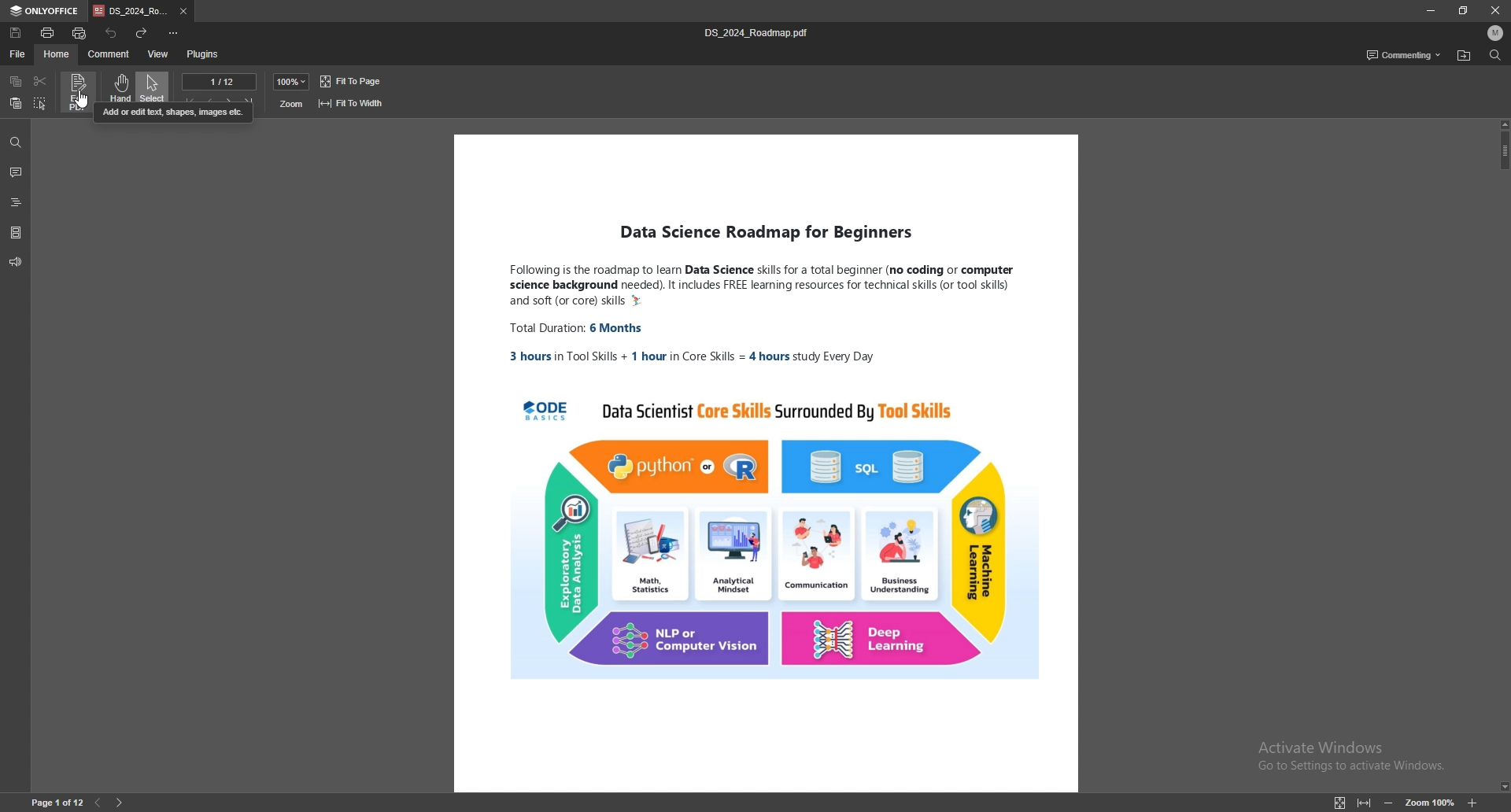  What do you see at coordinates (58, 54) in the screenshot?
I see `home` at bounding box center [58, 54].